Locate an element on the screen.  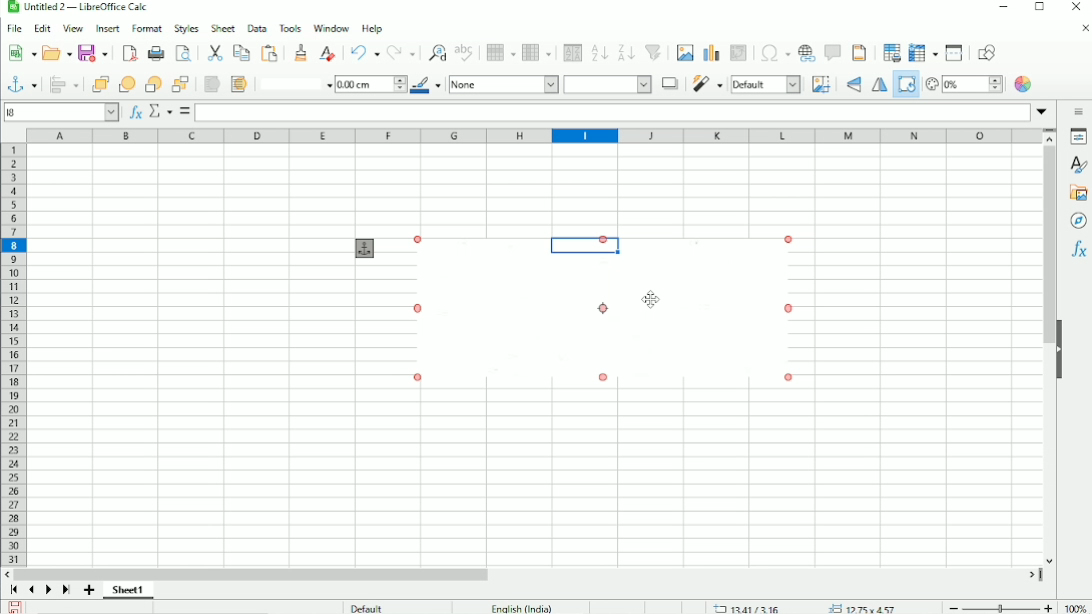
Sheet 1 is located at coordinates (128, 591).